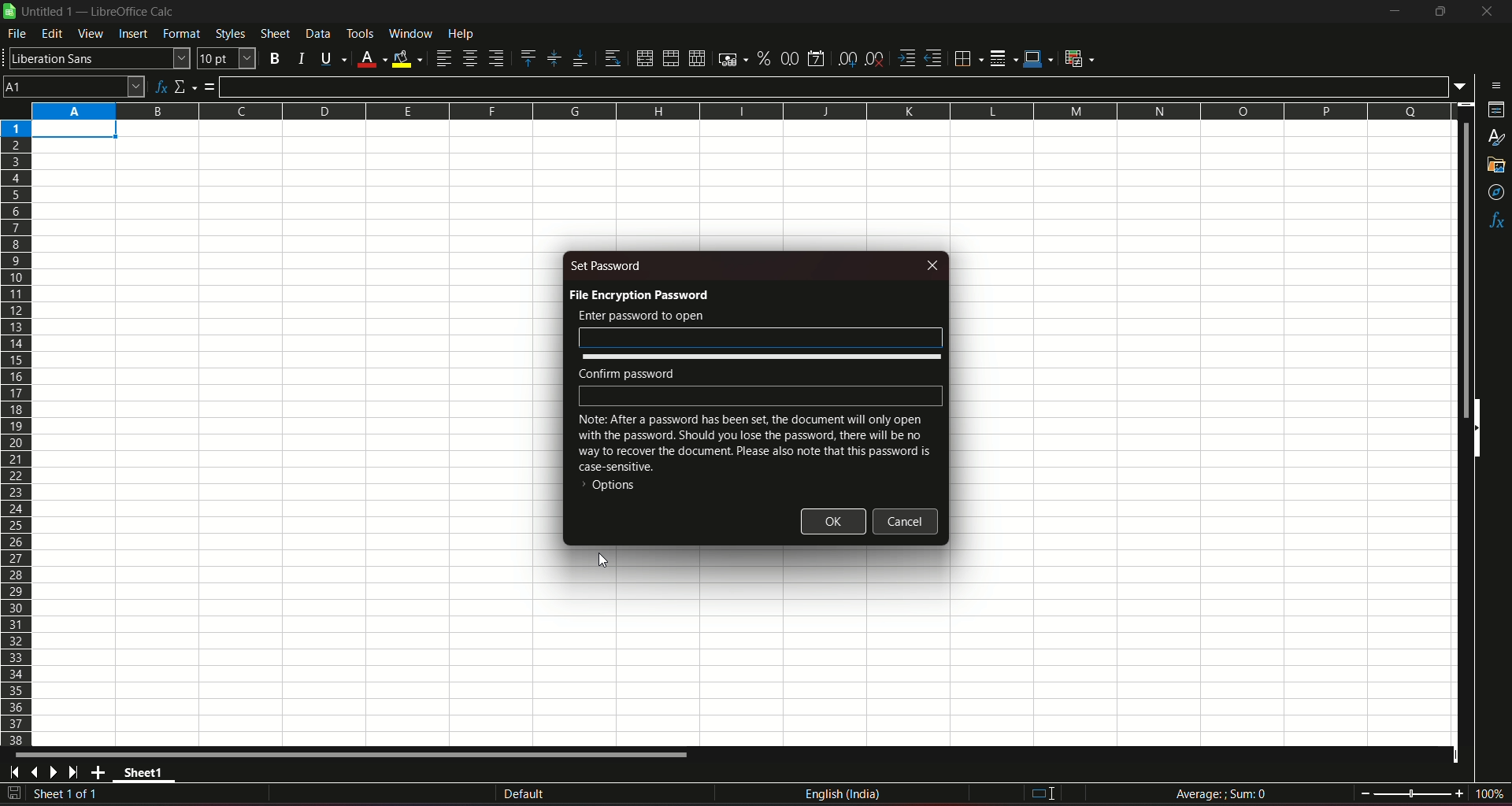  Describe the element at coordinates (274, 34) in the screenshot. I see `Sheet` at that location.